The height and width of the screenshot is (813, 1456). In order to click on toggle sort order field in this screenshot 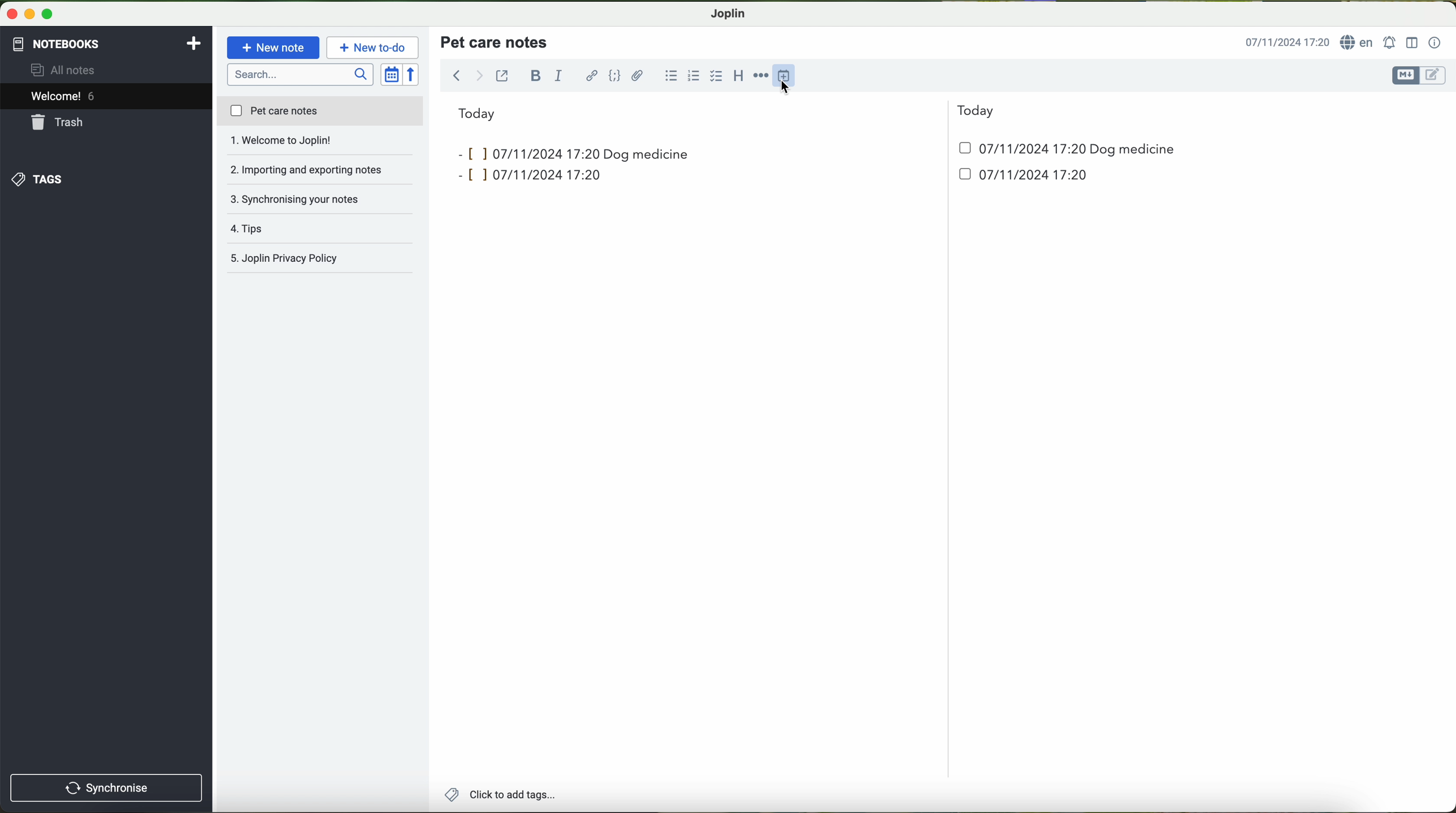, I will do `click(392, 75)`.